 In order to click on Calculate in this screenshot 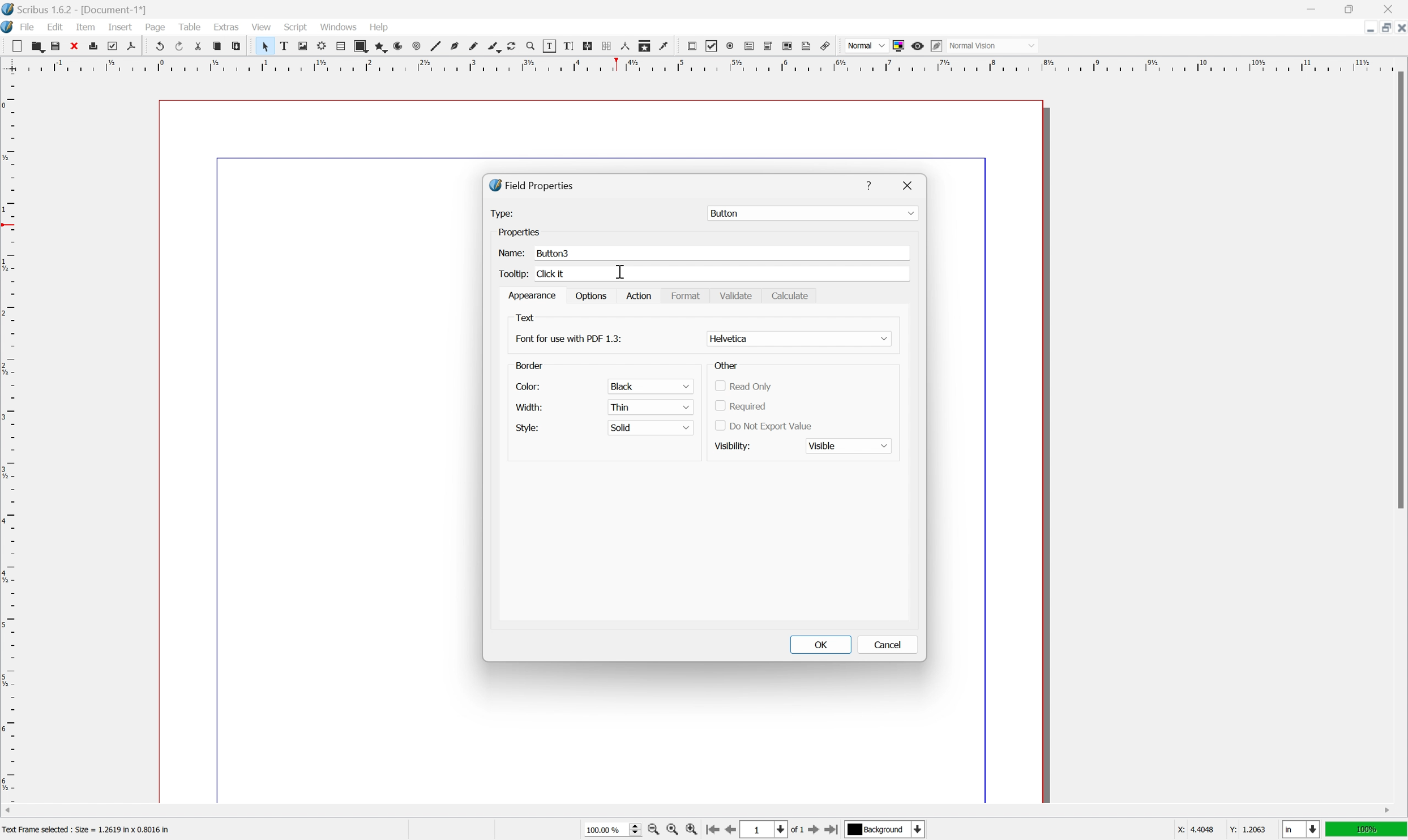, I will do `click(793, 297)`.